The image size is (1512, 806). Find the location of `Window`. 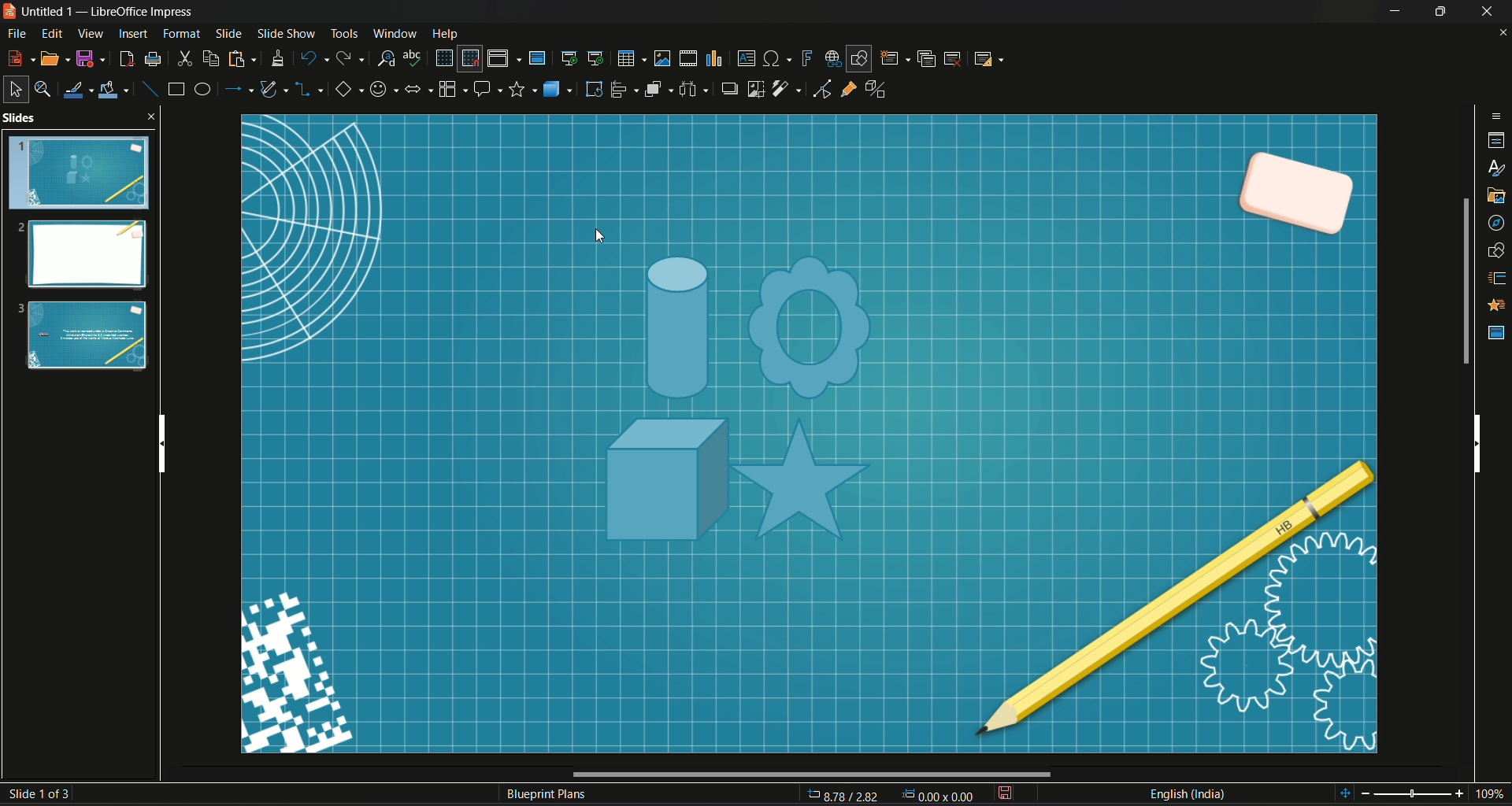

Window is located at coordinates (391, 32).